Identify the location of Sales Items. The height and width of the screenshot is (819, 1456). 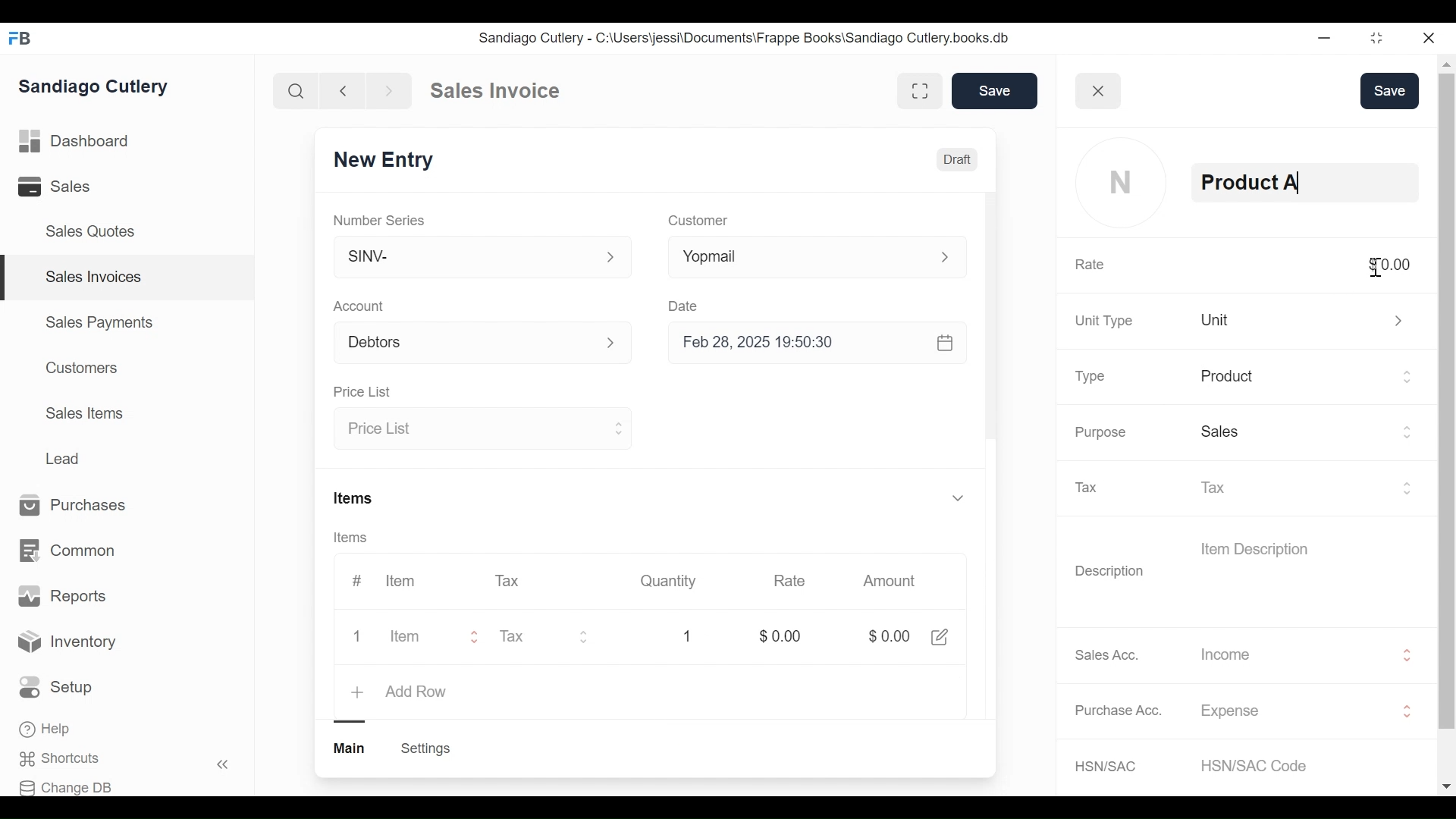
(84, 412).